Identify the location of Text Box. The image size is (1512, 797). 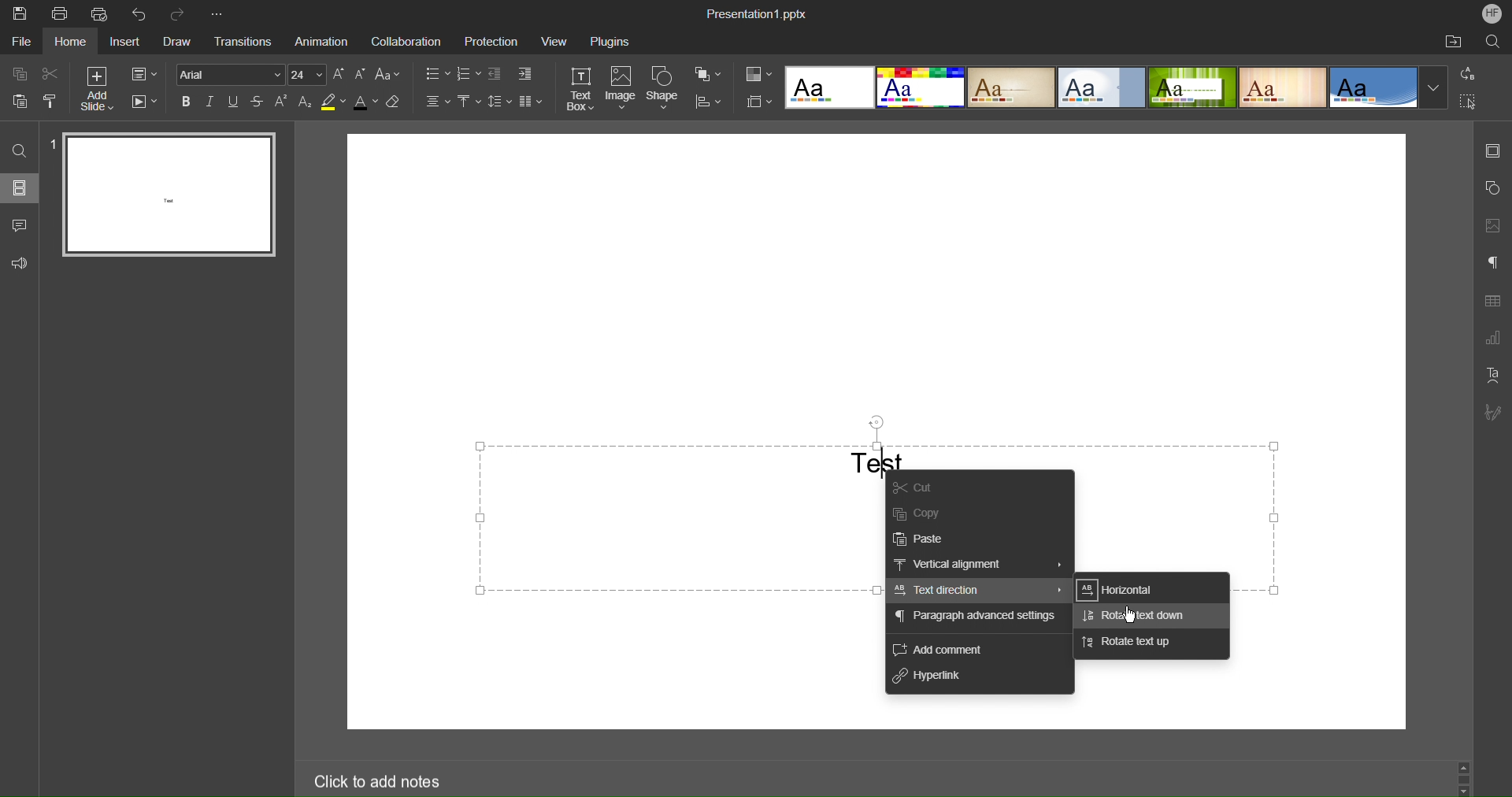
(580, 88).